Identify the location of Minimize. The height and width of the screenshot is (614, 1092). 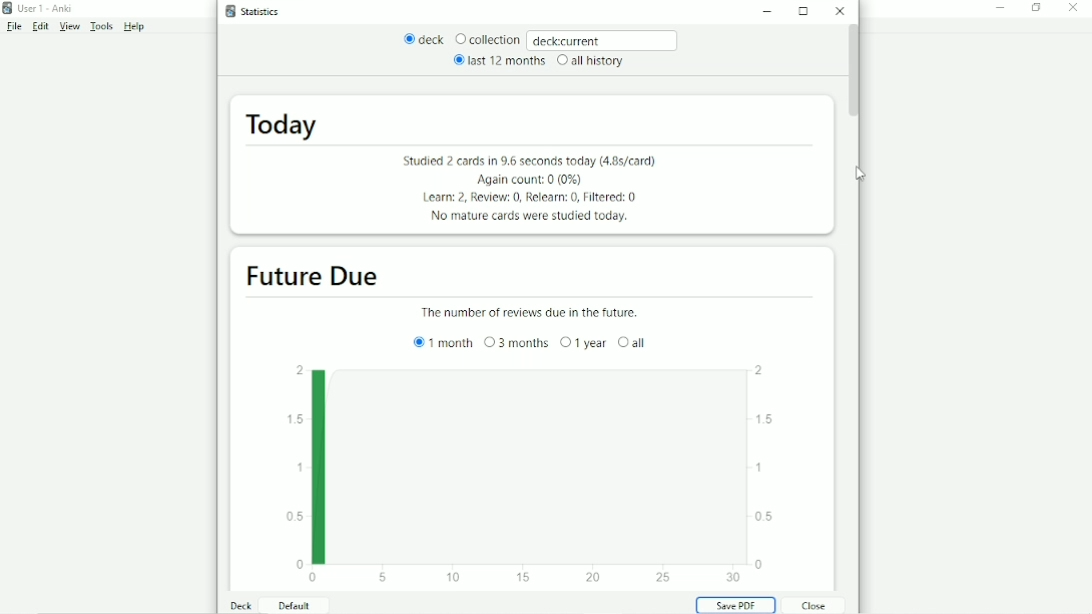
(1001, 8).